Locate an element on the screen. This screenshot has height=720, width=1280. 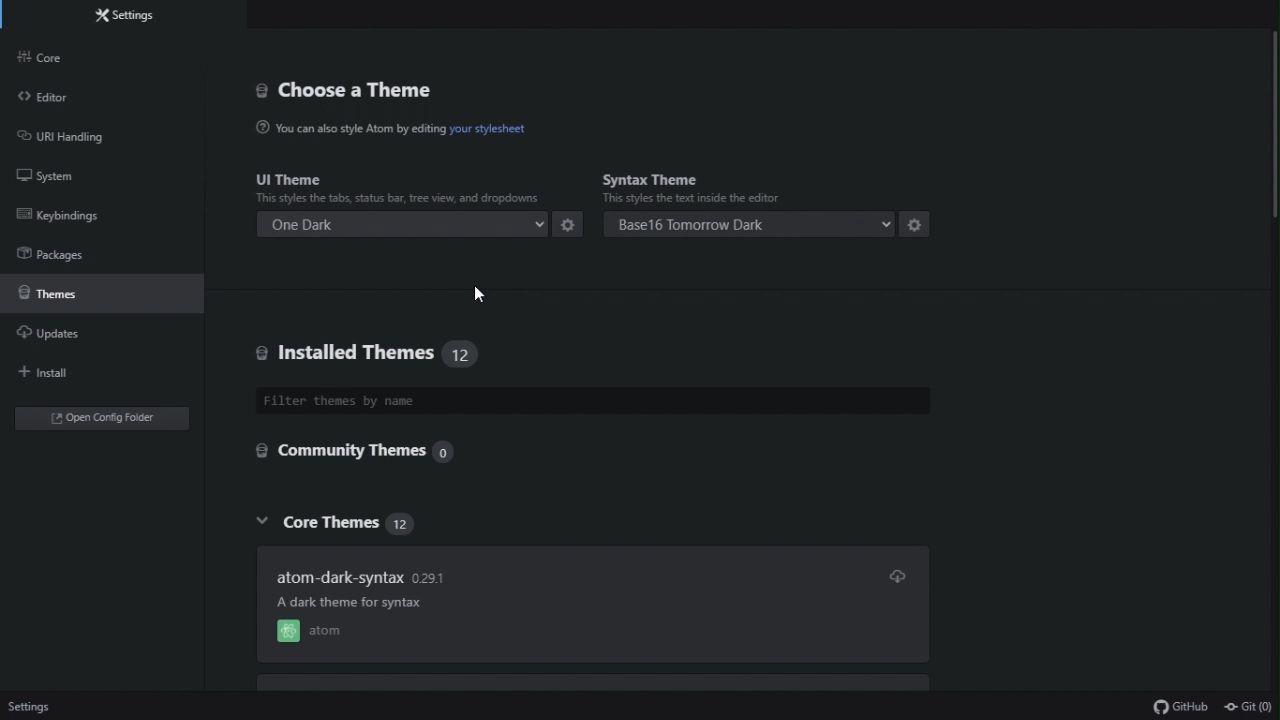
Git Hub is located at coordinates (1173, 704).